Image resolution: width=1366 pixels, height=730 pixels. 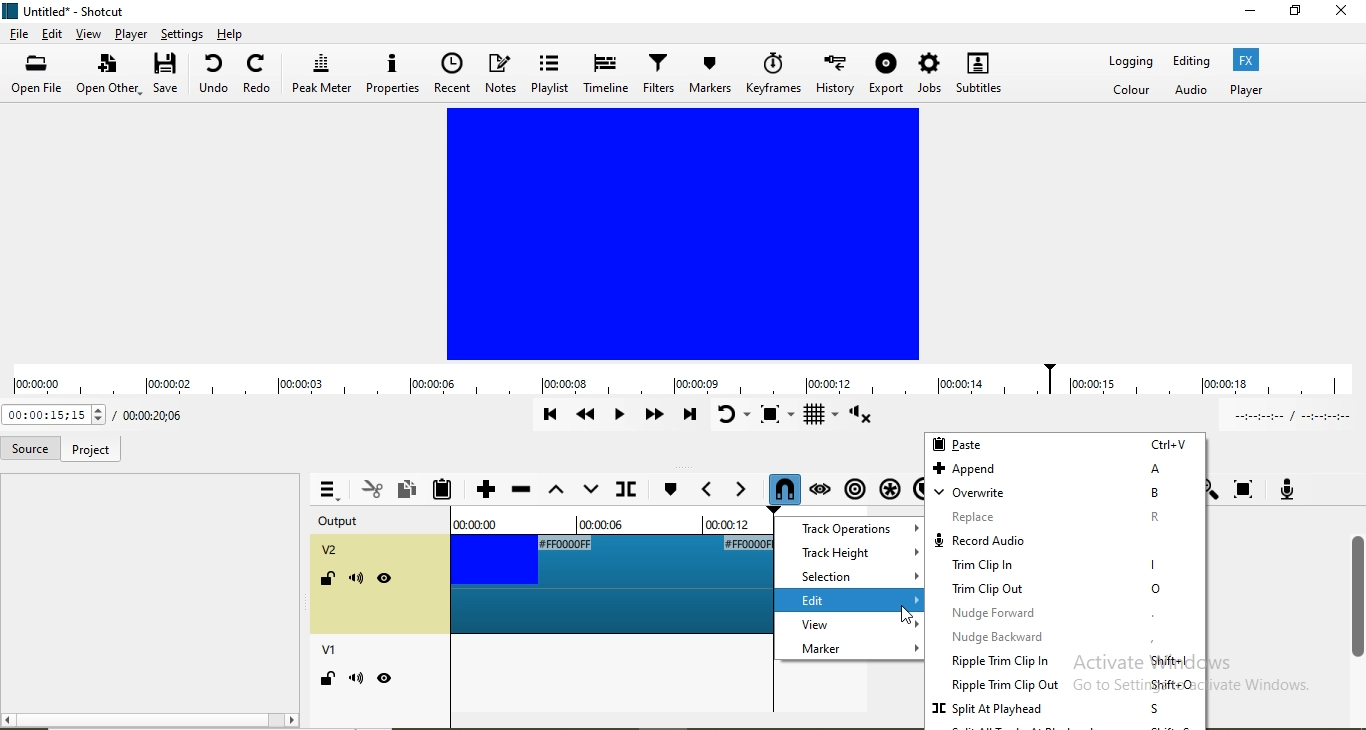 What do you see at coordinates (1191, 61) in the screenshot?
I see `Editing` at bounding box center [1191, 61].